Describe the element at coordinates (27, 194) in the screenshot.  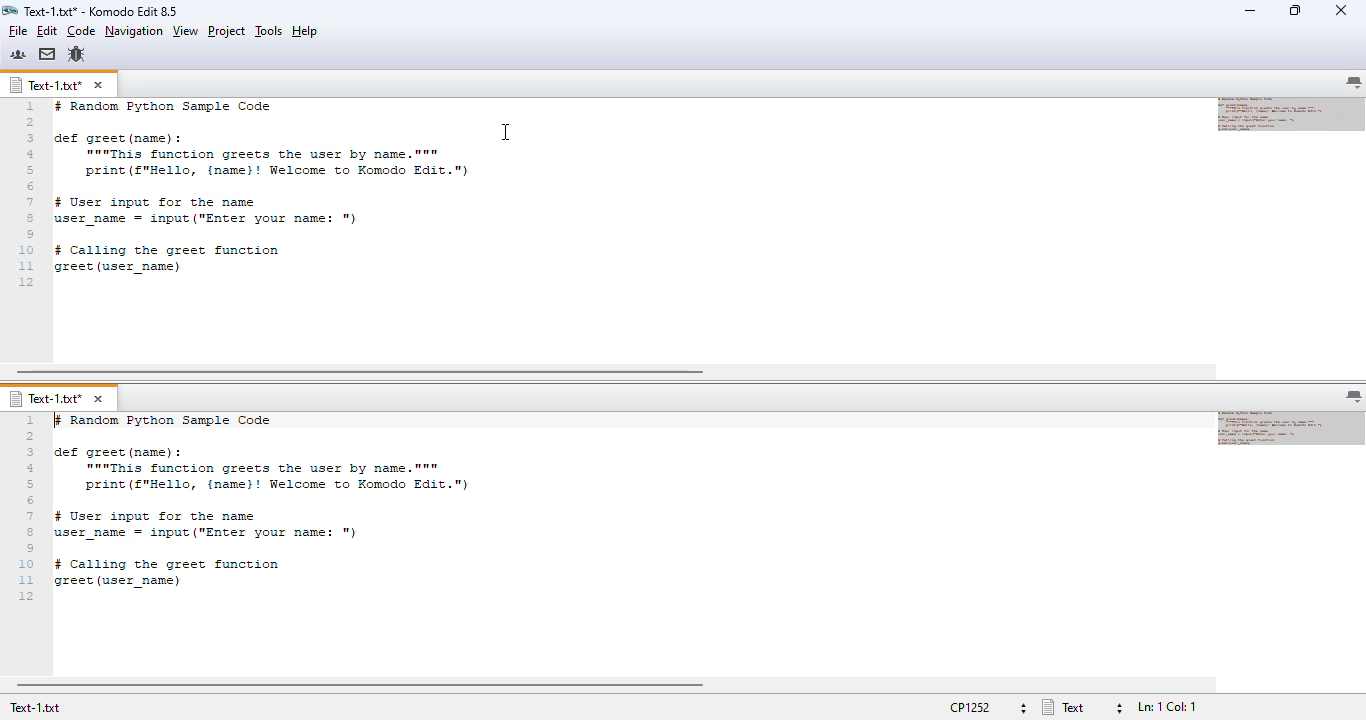
I see `line numbers` at that location.